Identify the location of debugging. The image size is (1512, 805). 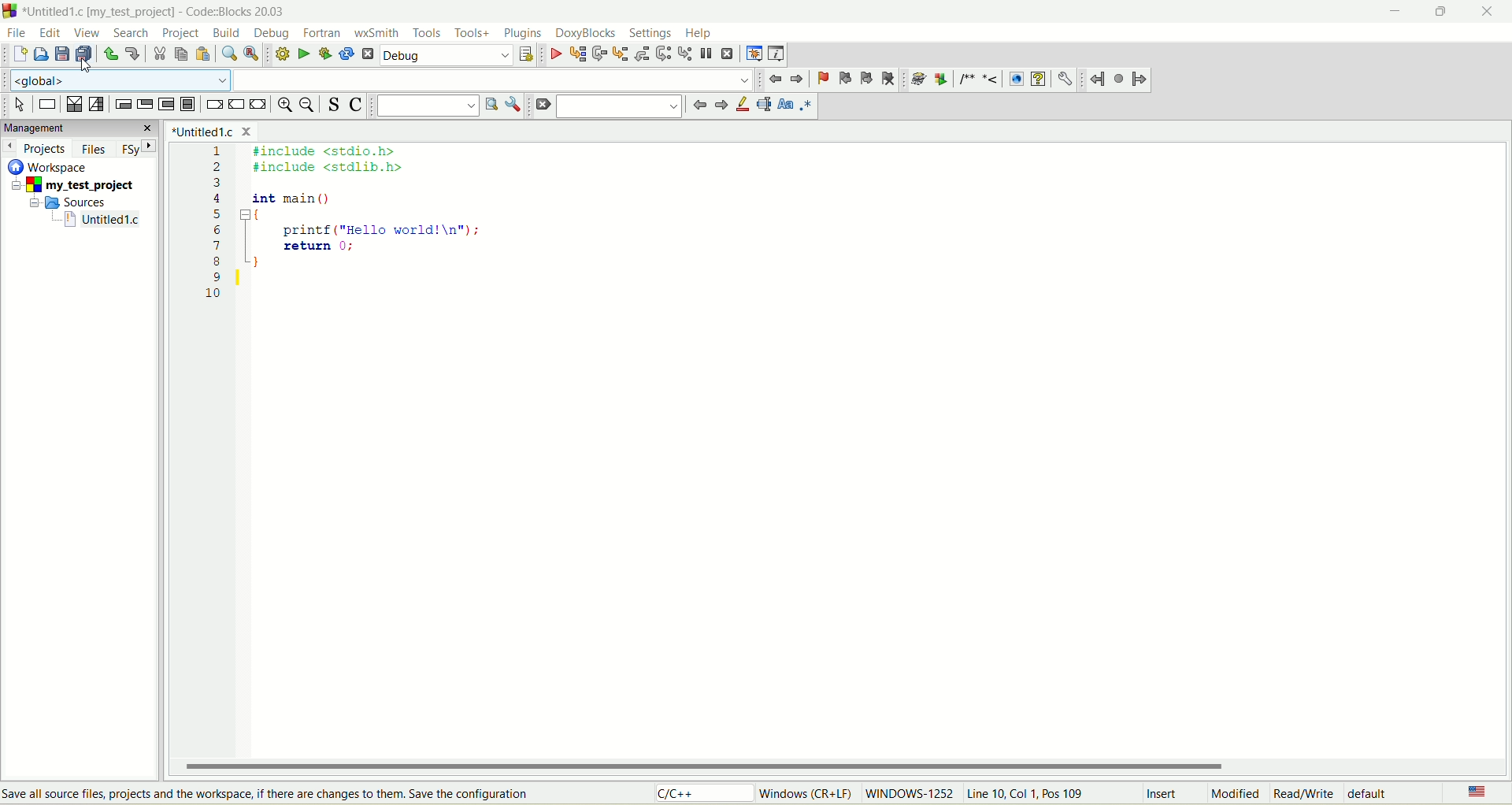
(754, 54).